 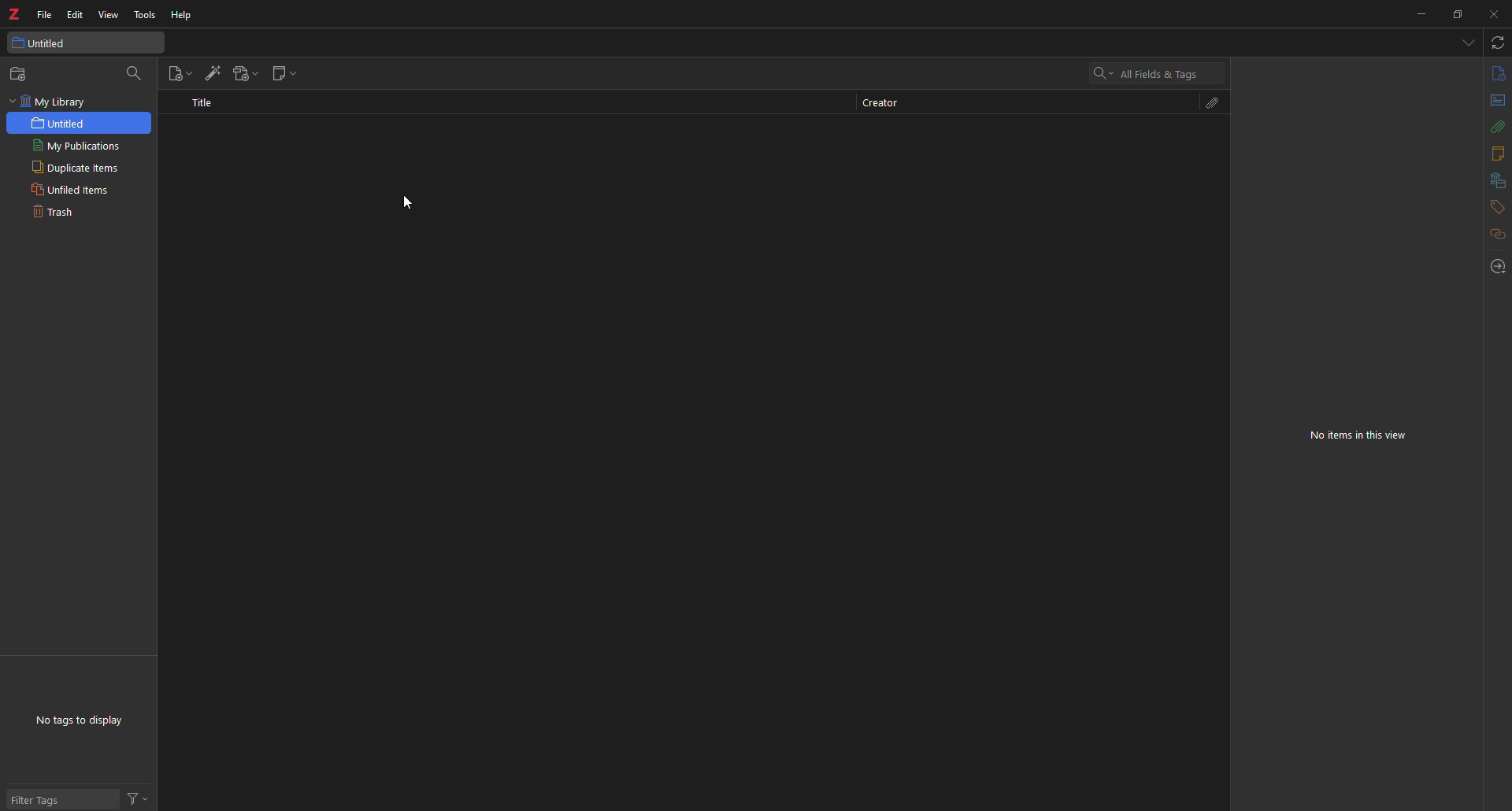 What do you see at coordinates (16, 13) in the screenshot?
I see `z` at bounding box center [16, 13].